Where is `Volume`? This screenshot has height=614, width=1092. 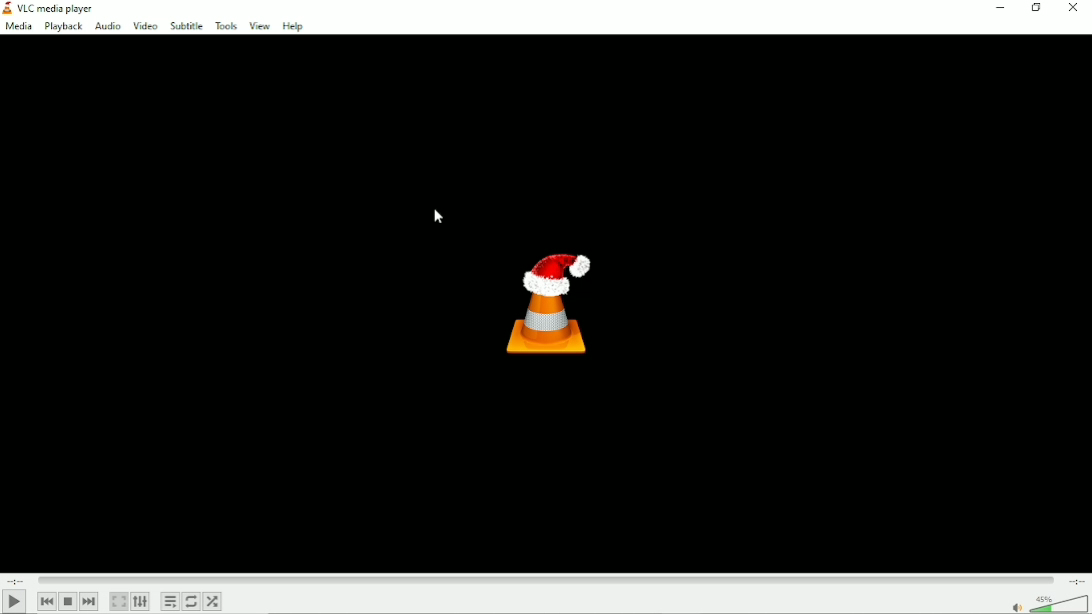 Volume is located at coordinates (1048, 603).